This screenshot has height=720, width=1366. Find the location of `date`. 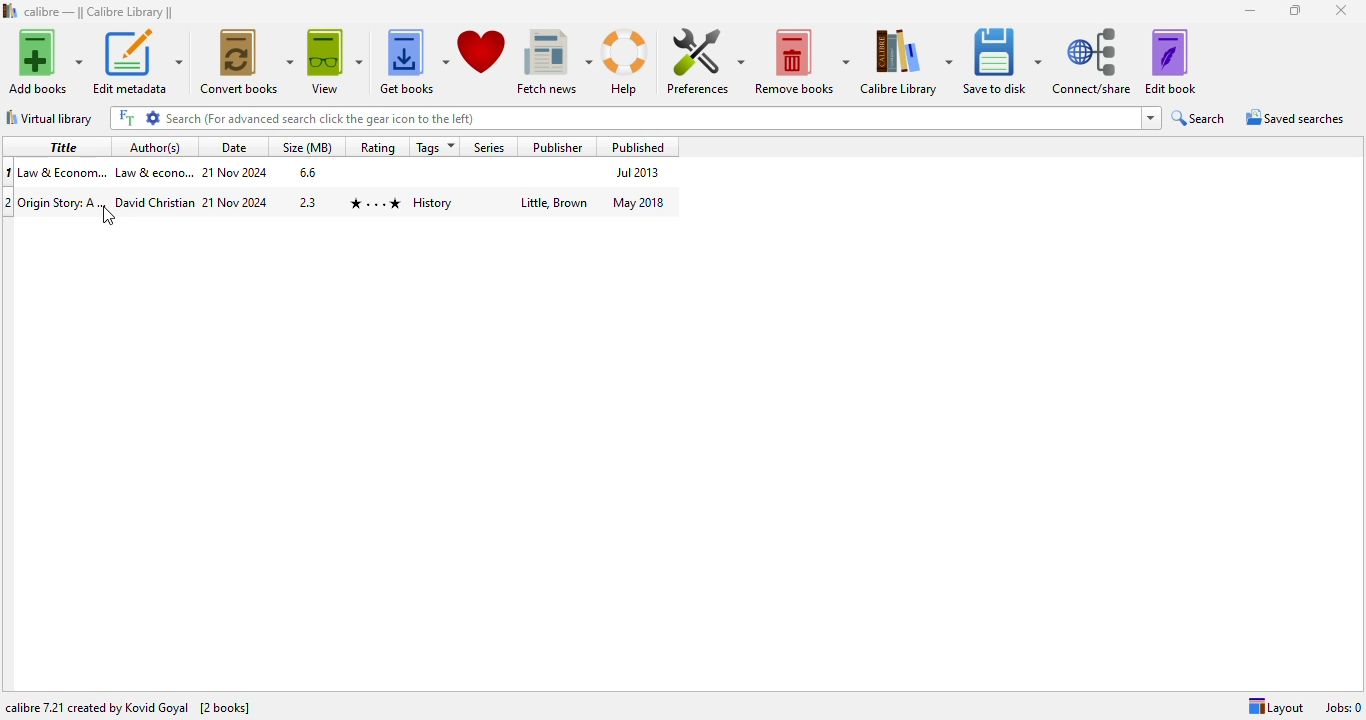

date is located at coordinates (231, 147).